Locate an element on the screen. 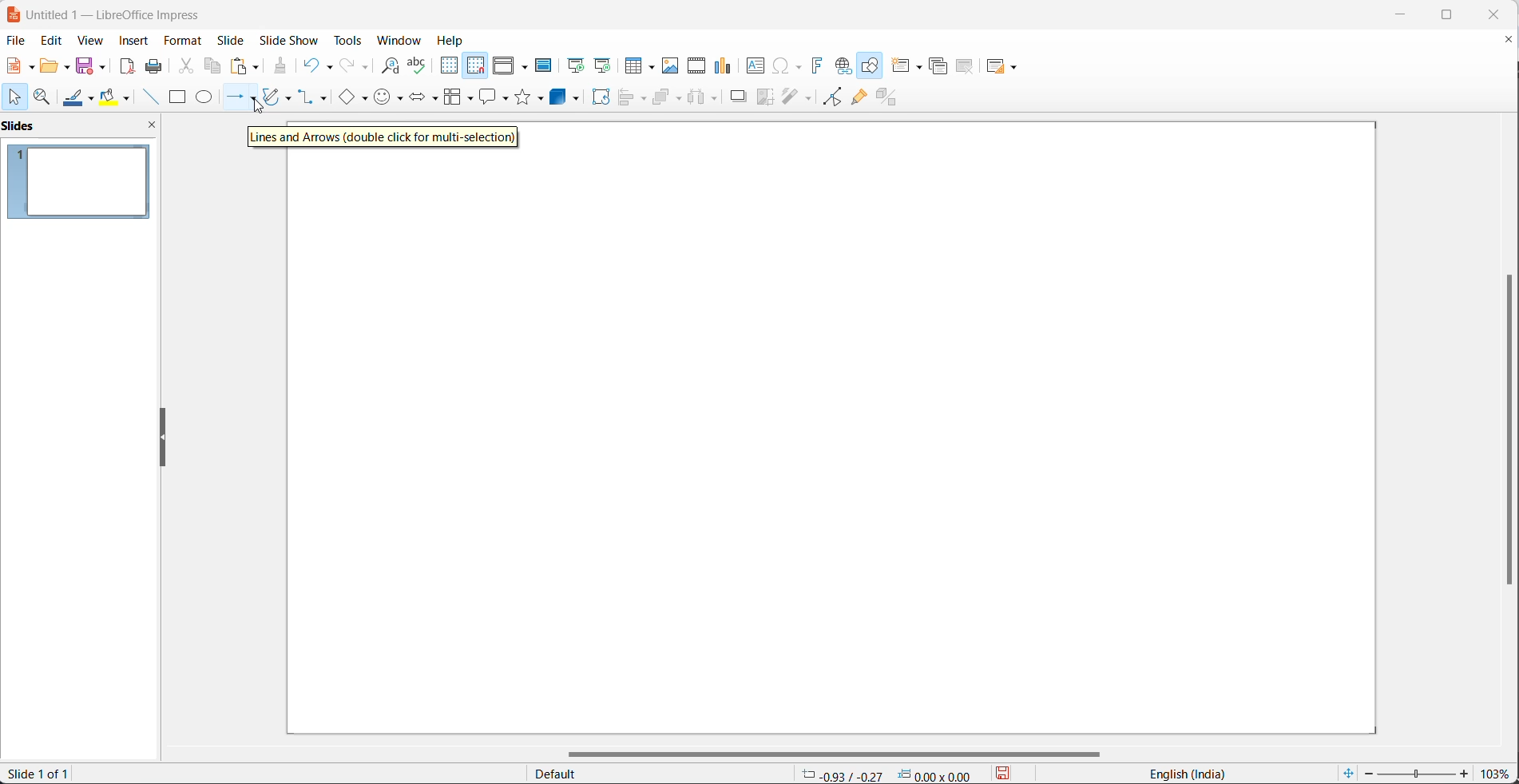 Image resolution: width=1519 pixels, height=784 pixels. zoom and pan is located at coordinates (43, 97).